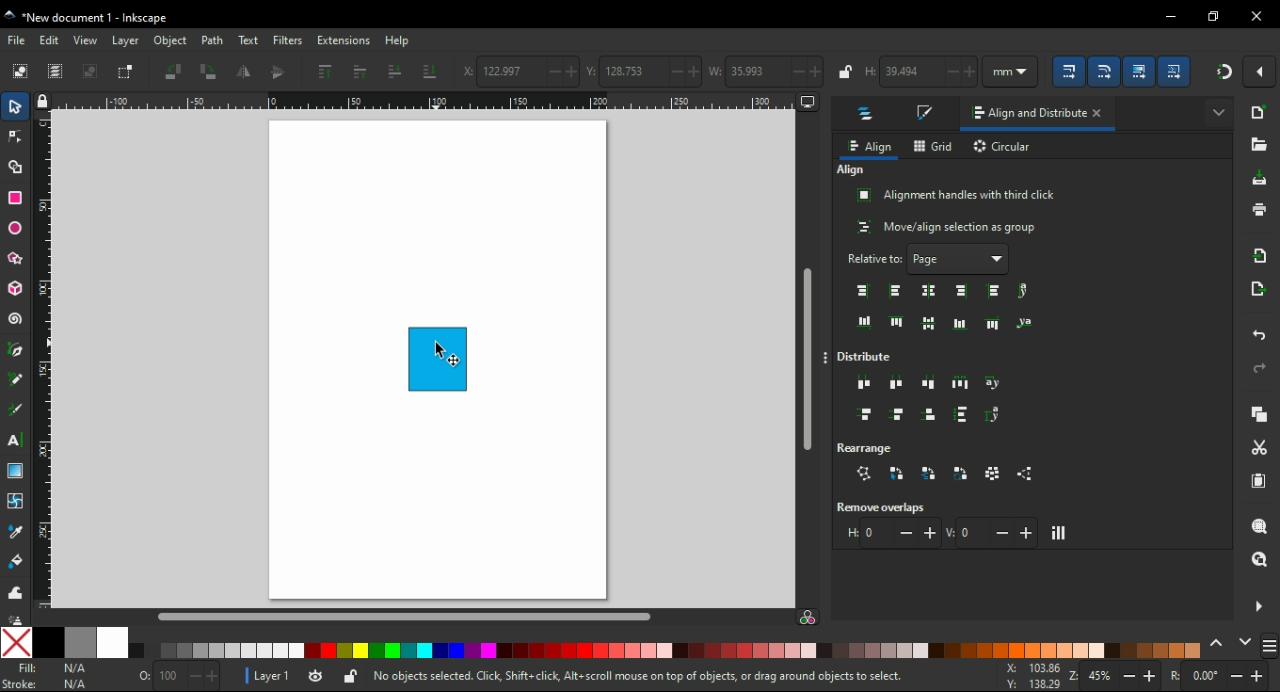 The height and width of the screenshot is (692, 1280). I want to click on ellipse/arc tool, so click(16, 229).